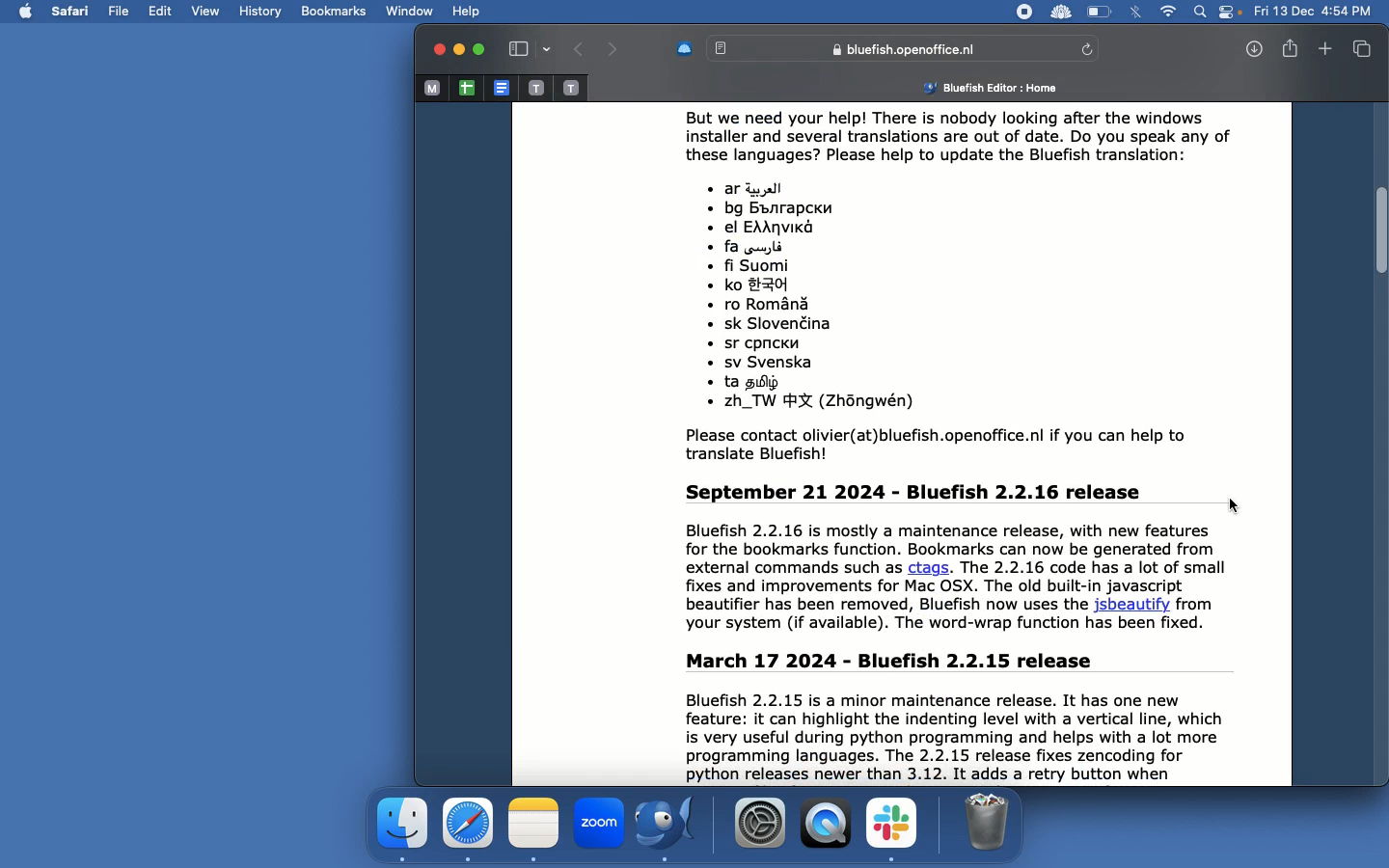  I want to click on Pinned tab, so click(432, 88).